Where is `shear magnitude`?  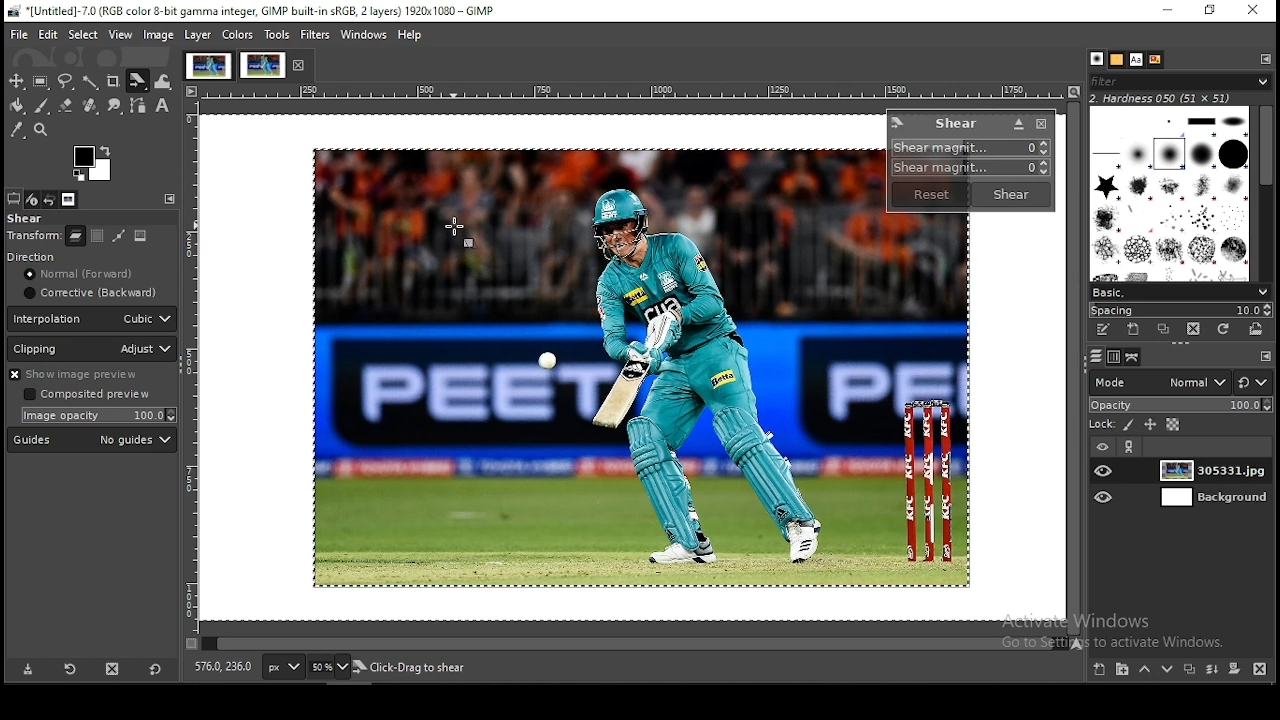 shear magnitude is located at coordinates (973, 148).